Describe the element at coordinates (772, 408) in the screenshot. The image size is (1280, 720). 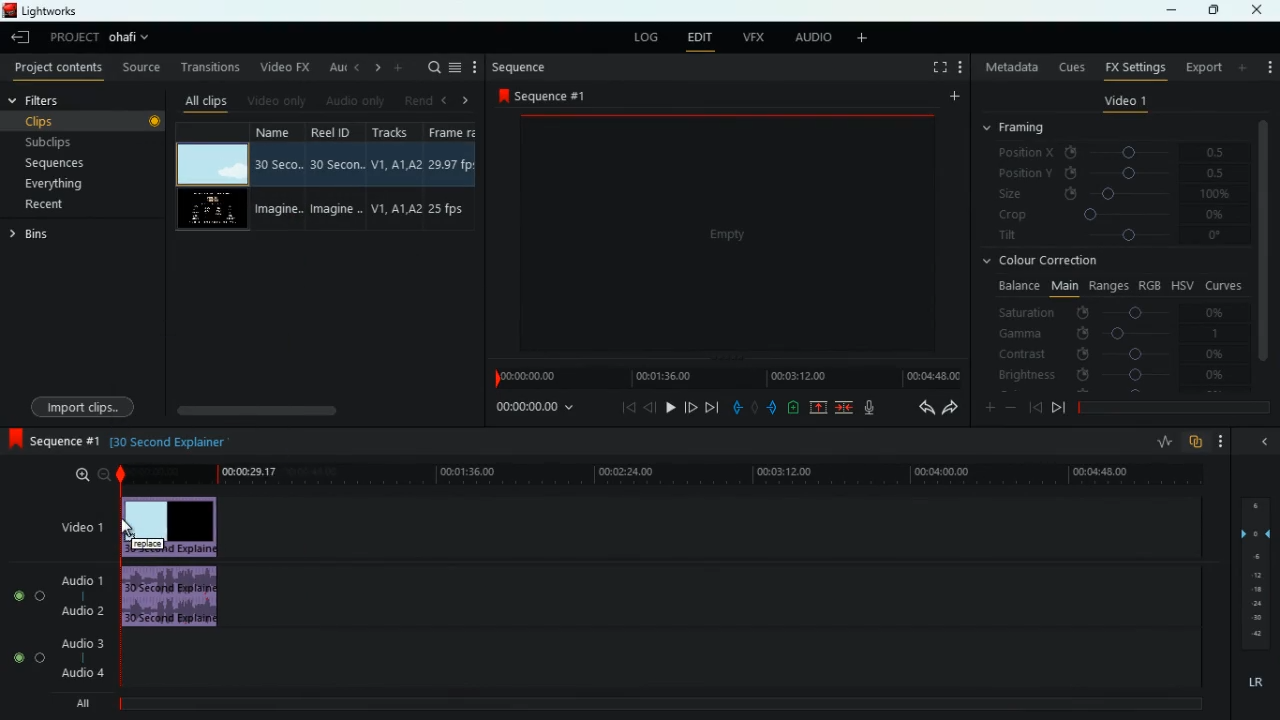
I see `push` at that location.